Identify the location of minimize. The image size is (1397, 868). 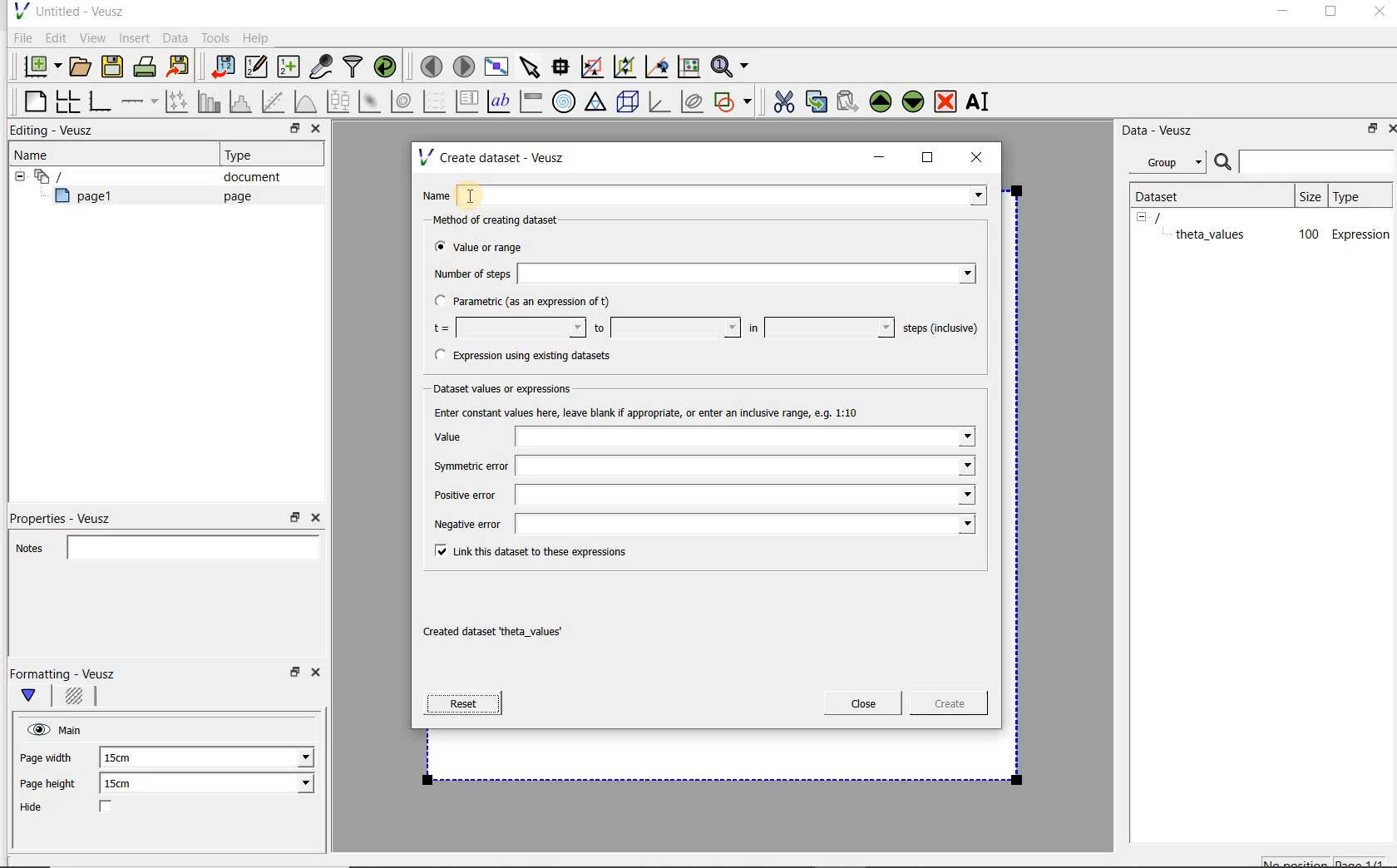
(880, 157).